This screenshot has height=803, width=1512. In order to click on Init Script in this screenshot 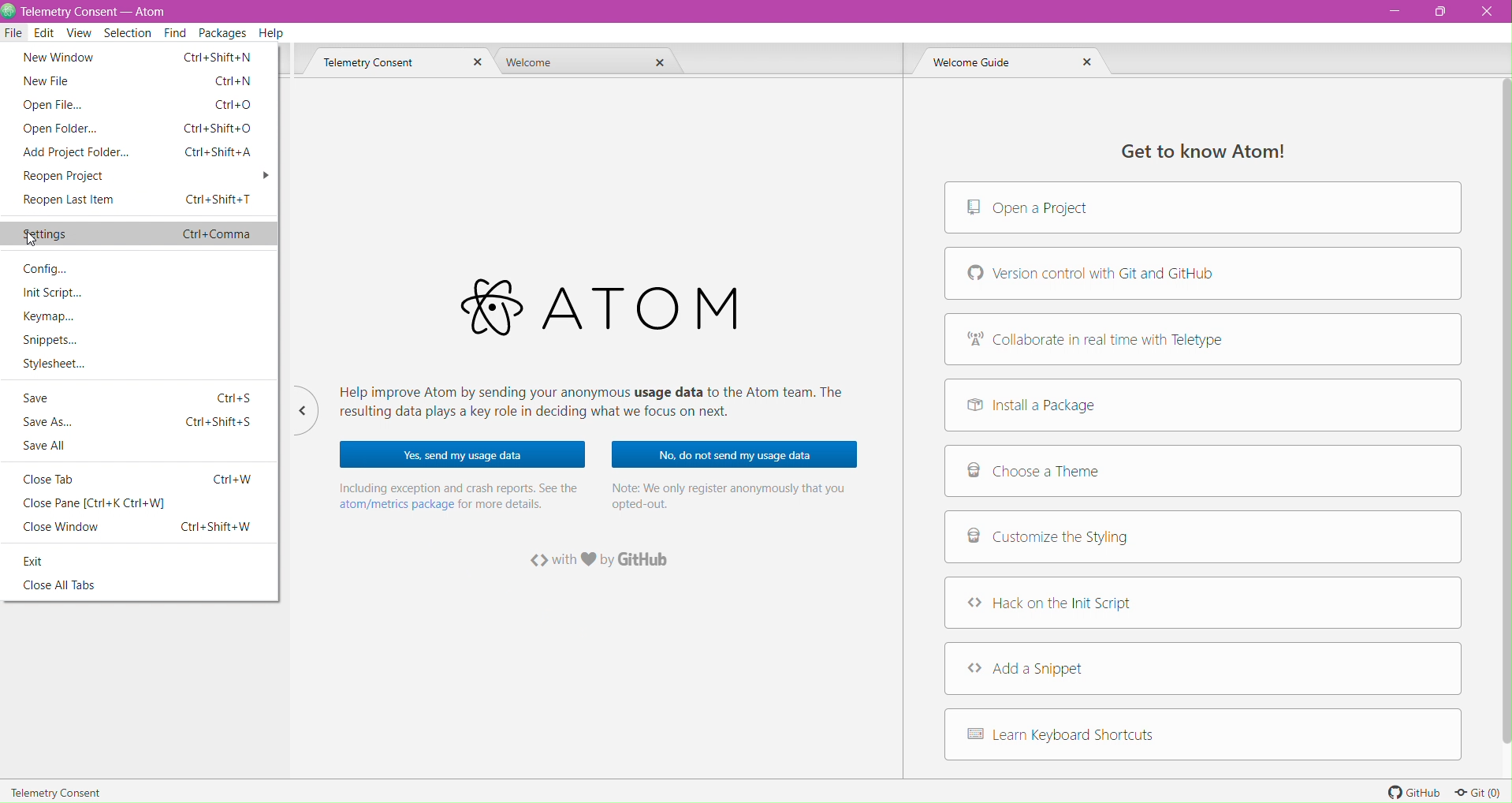, I will do `click(78, 295)`.